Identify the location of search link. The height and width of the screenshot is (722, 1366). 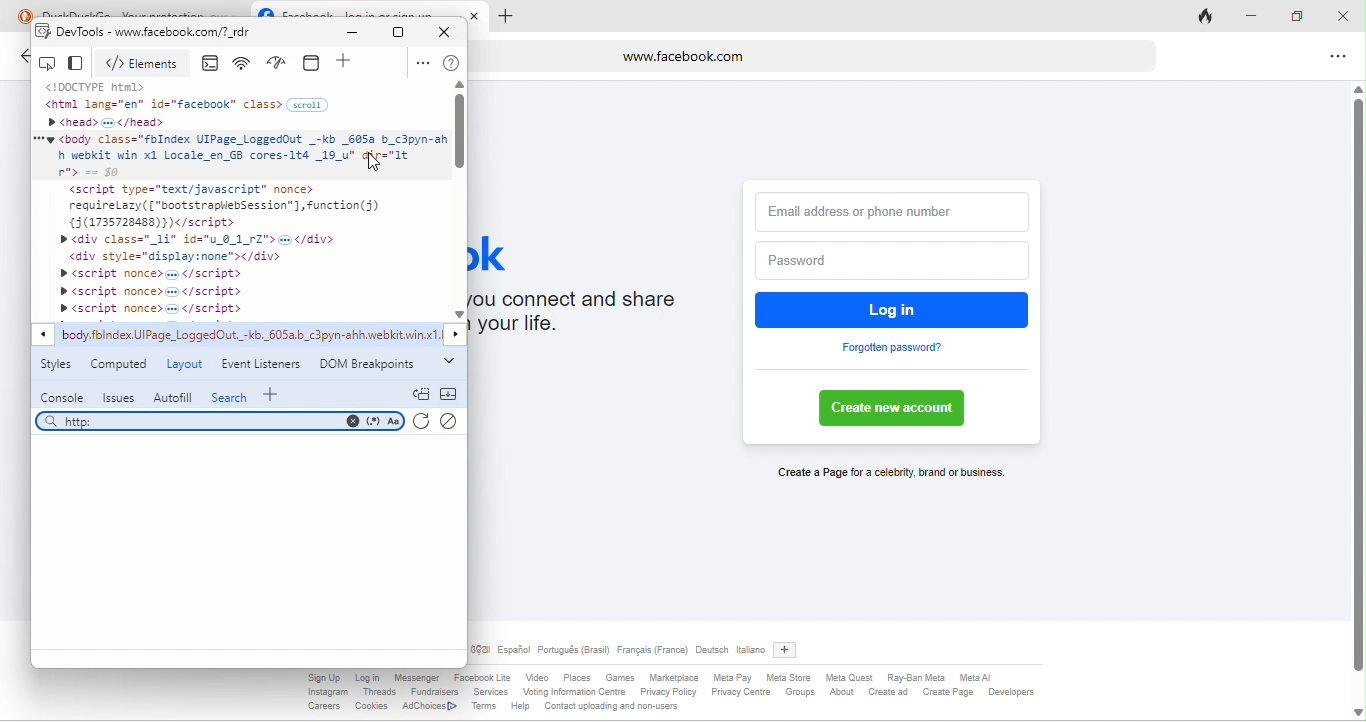
(218, 421).